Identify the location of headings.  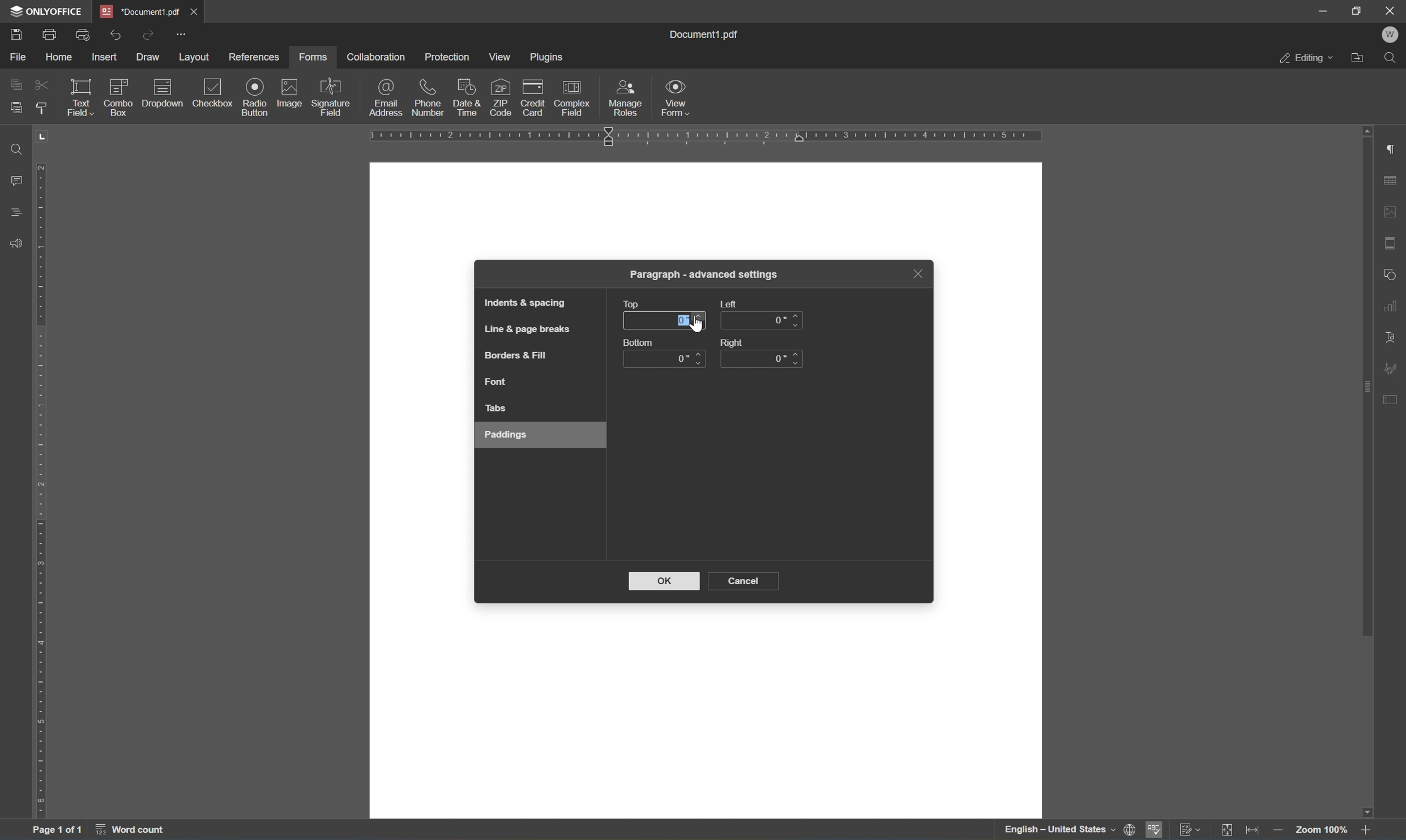
(16, 212).